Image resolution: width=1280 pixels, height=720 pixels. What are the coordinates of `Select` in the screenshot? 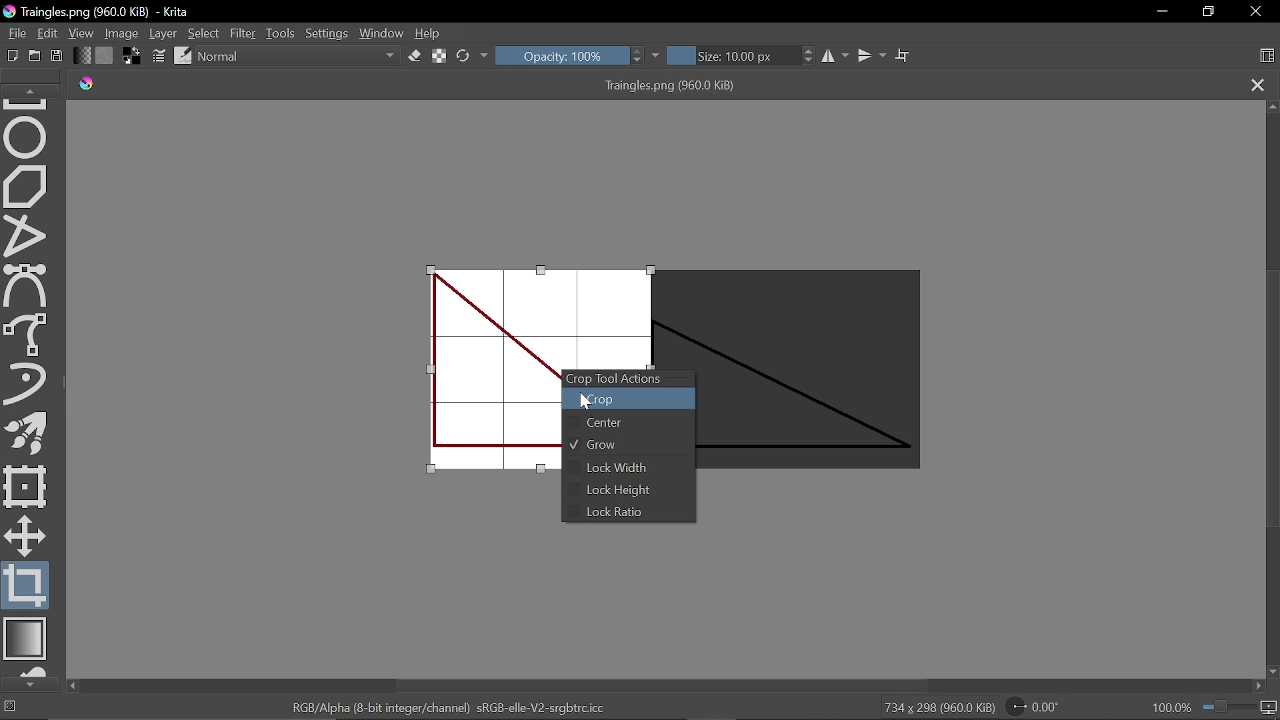 It's located at (205, 34).